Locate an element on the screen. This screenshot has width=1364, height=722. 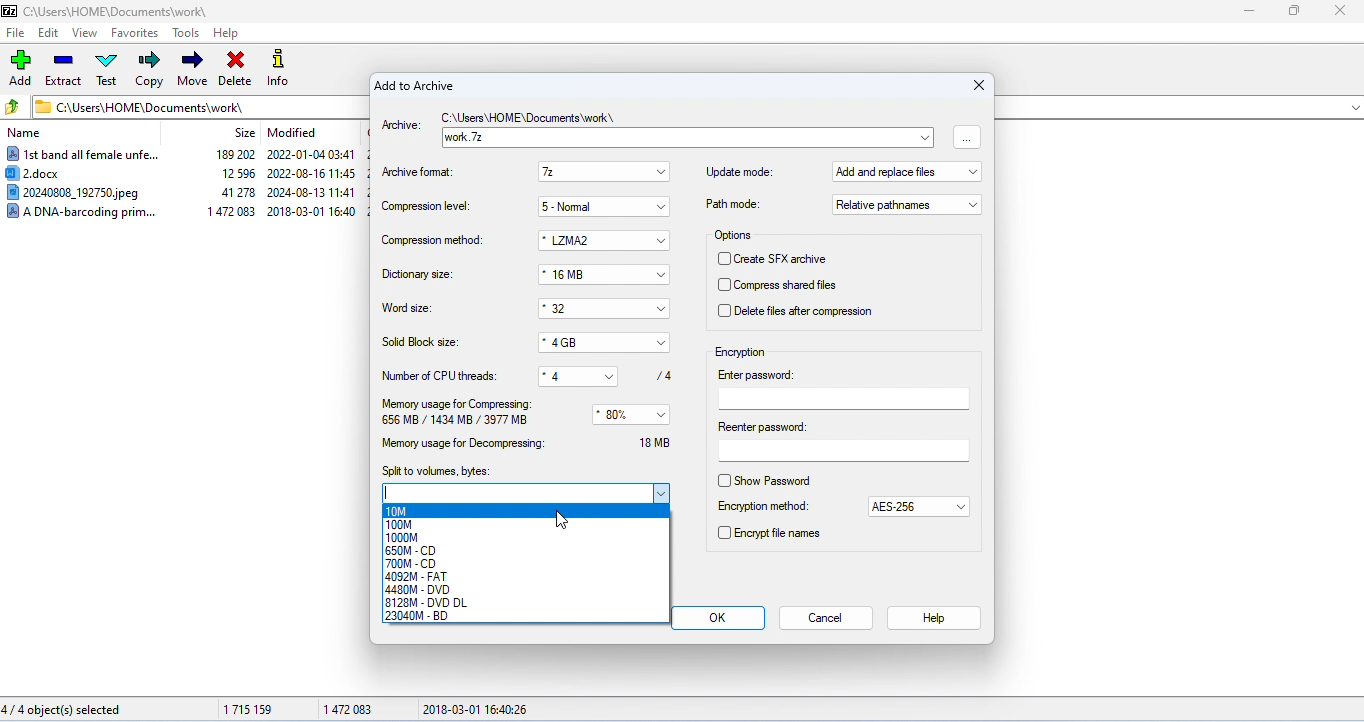
add is located at coordinates (22, 67).